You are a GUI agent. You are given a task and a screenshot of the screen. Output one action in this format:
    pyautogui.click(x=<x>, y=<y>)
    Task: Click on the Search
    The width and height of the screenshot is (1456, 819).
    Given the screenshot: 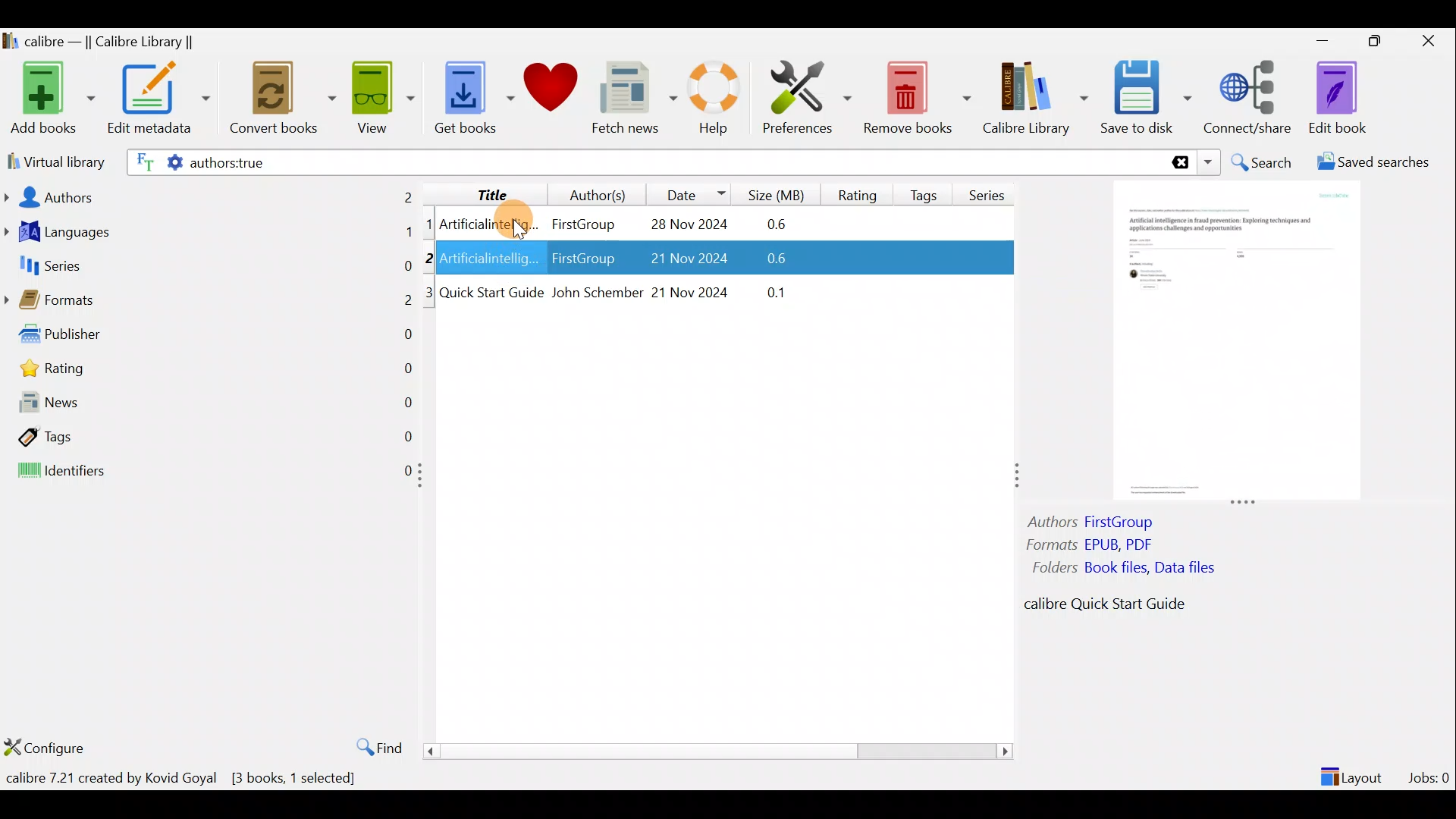 What is the action you would take?
    pyautogui.click(x=1263, y=162)
    